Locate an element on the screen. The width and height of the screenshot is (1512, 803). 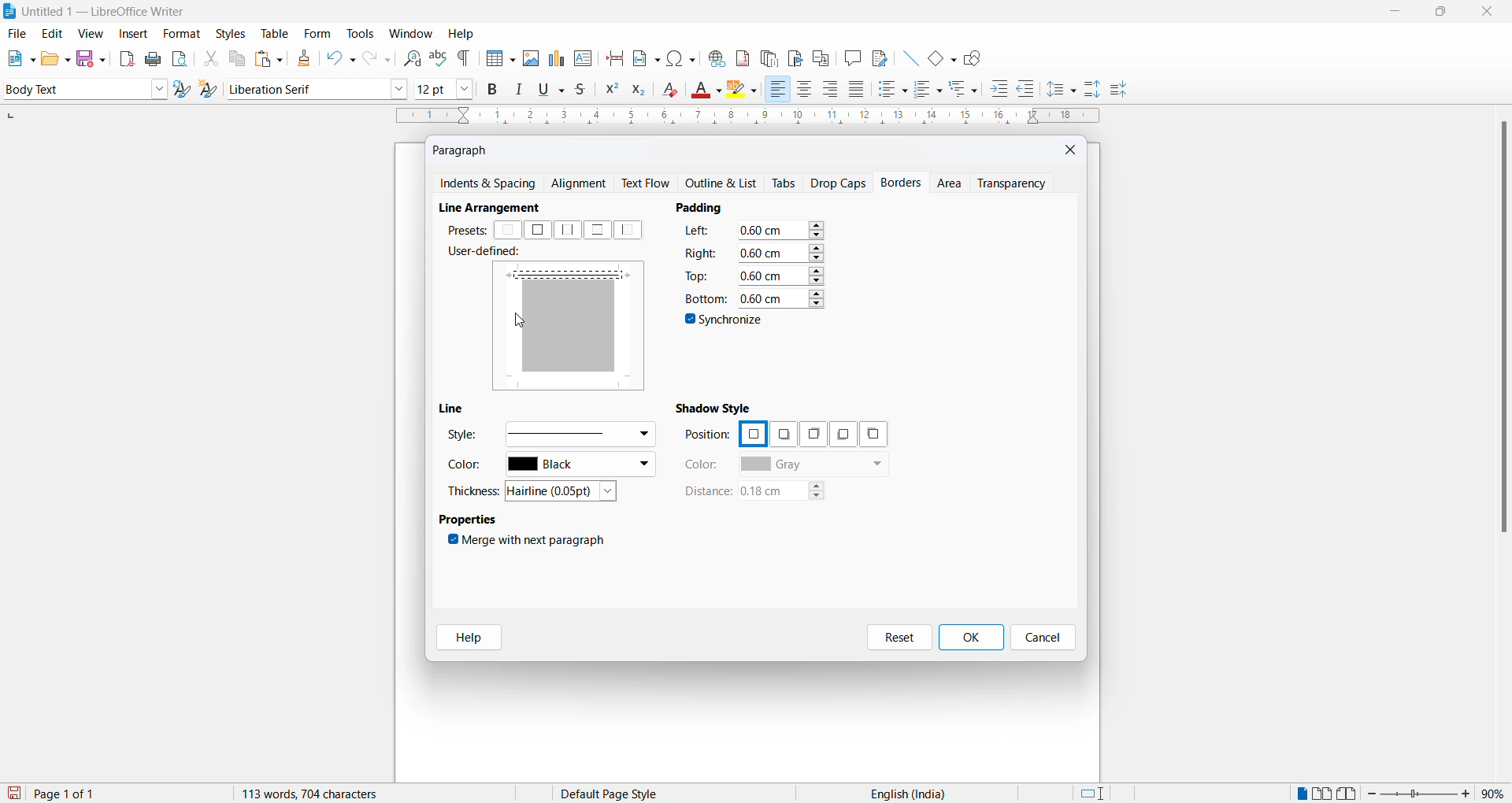
save is located at coordinates (15, 794).